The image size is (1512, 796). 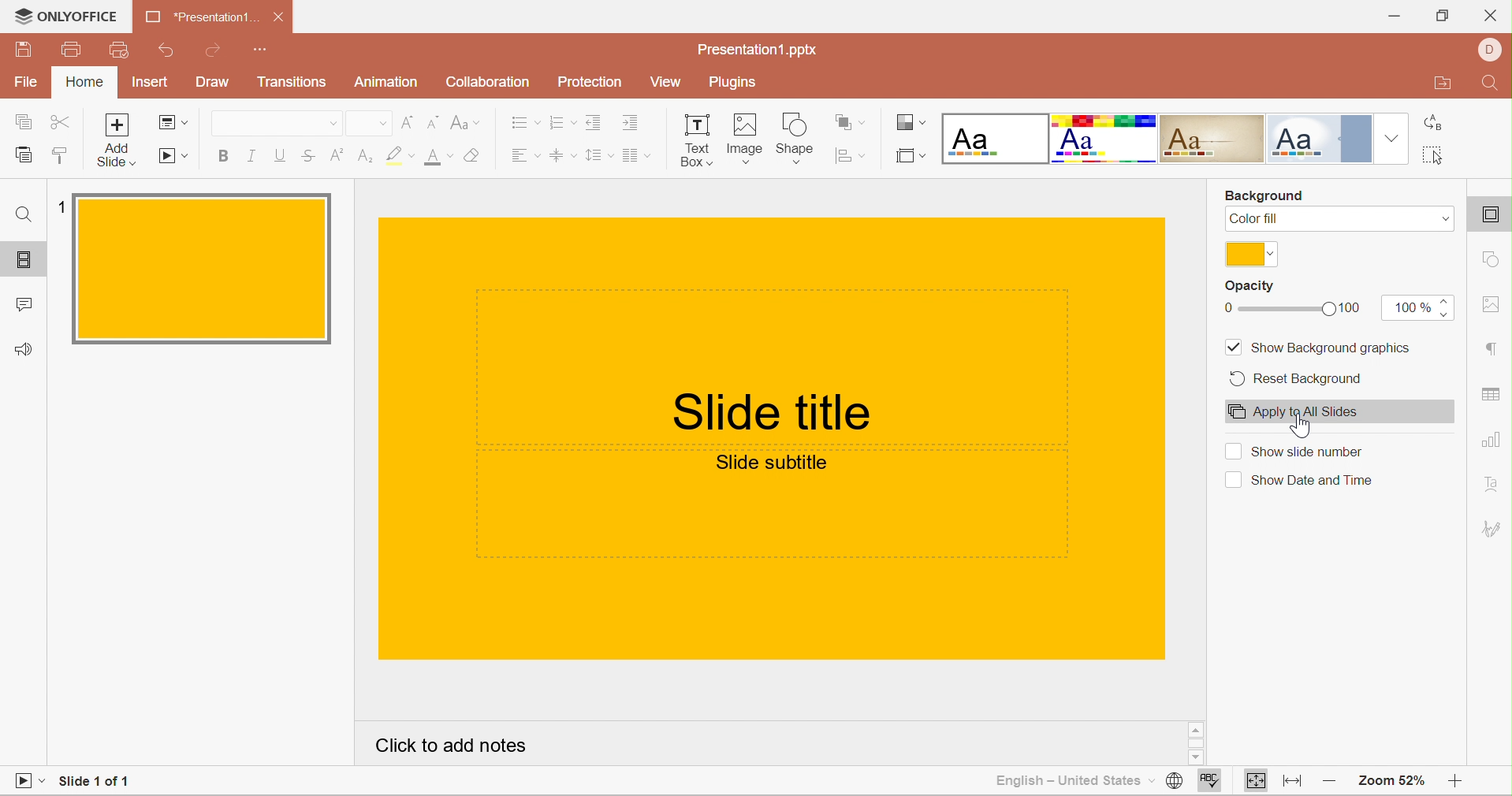 I want to click on Home, so click(x=88, y=83).